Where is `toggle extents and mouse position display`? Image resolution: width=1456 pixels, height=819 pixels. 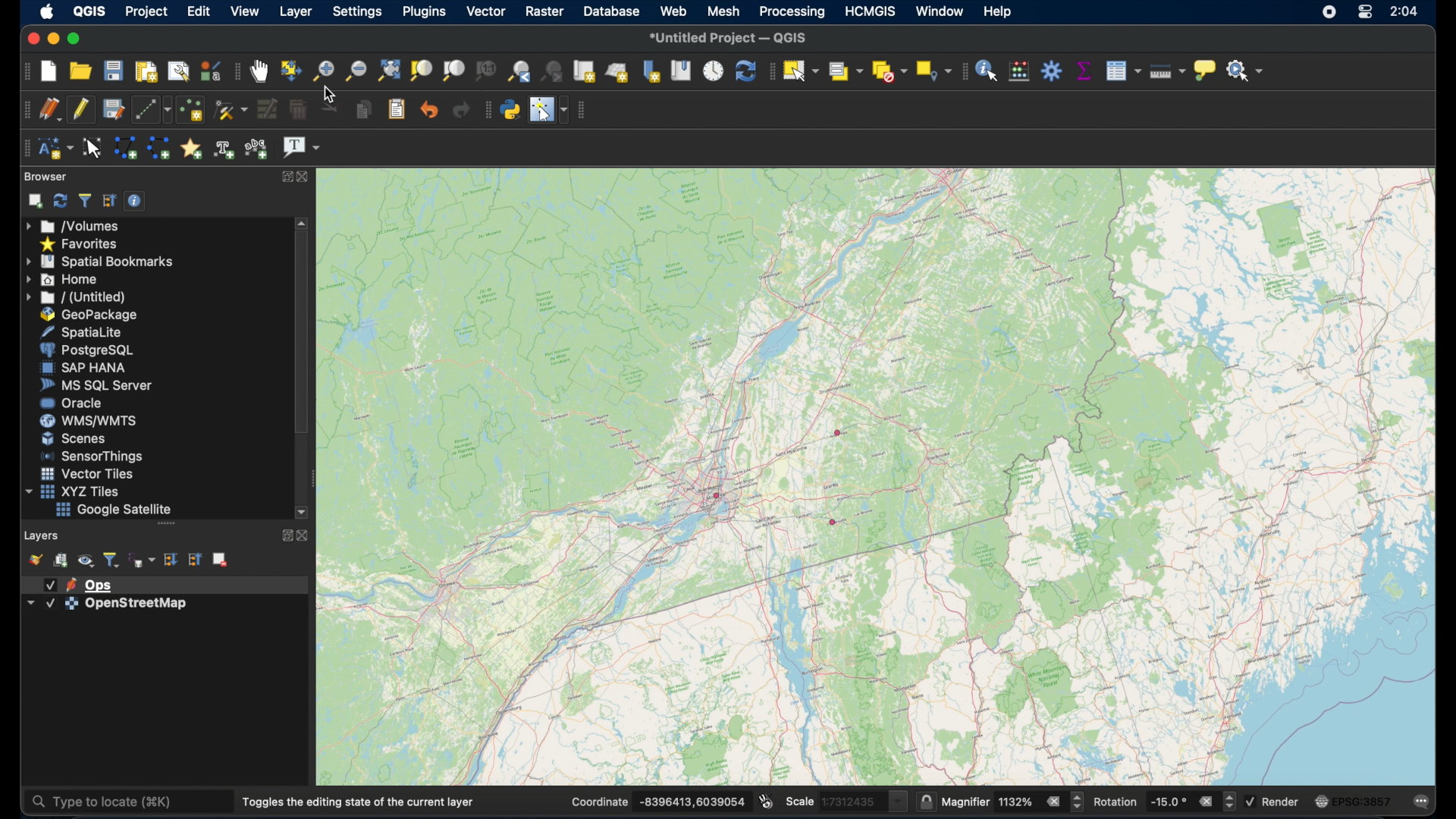
toggle extents and mouse position display is located at coordinates (765, 802).